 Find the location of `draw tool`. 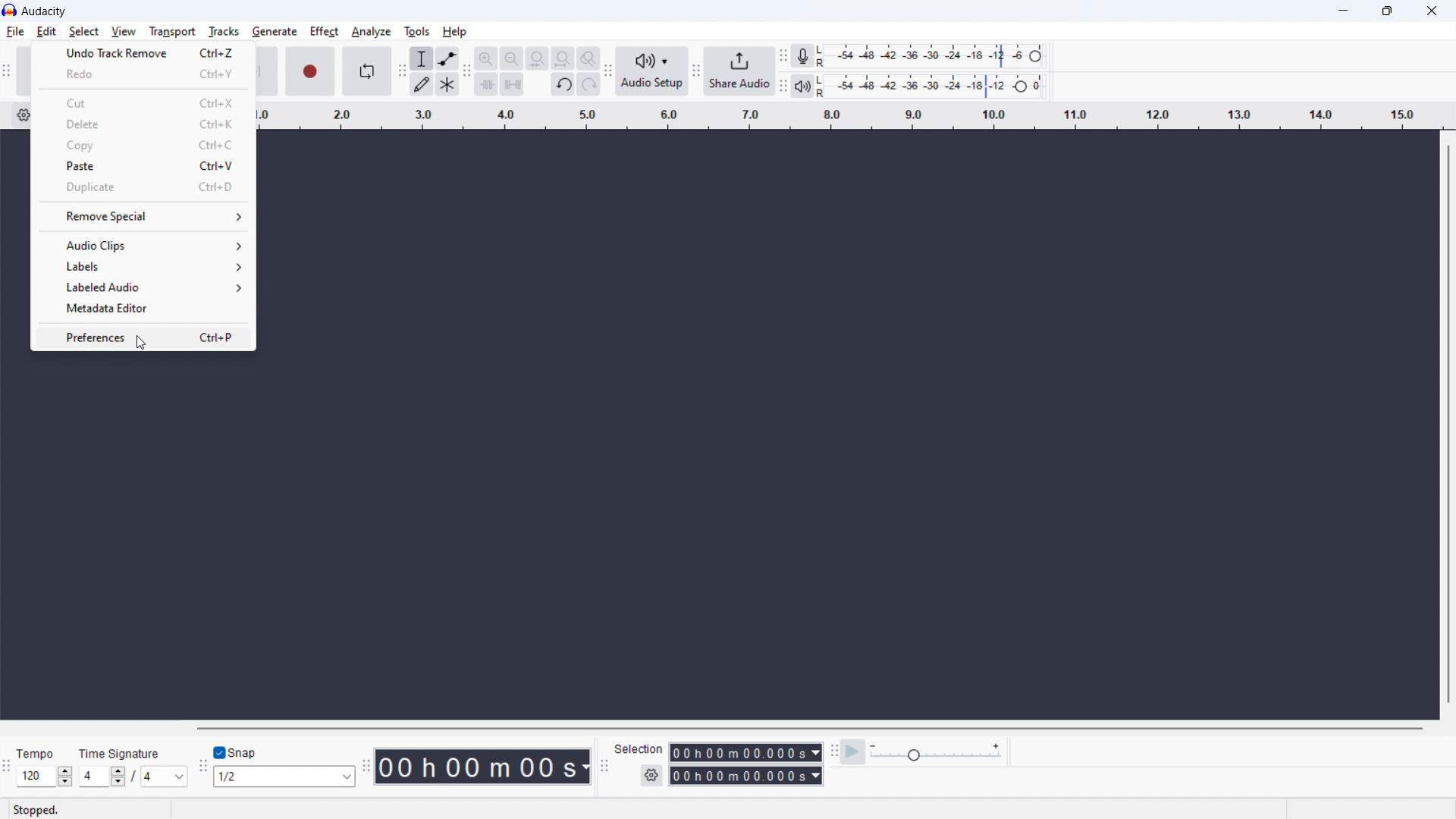

draw tool is located at coordinates (422, 83).